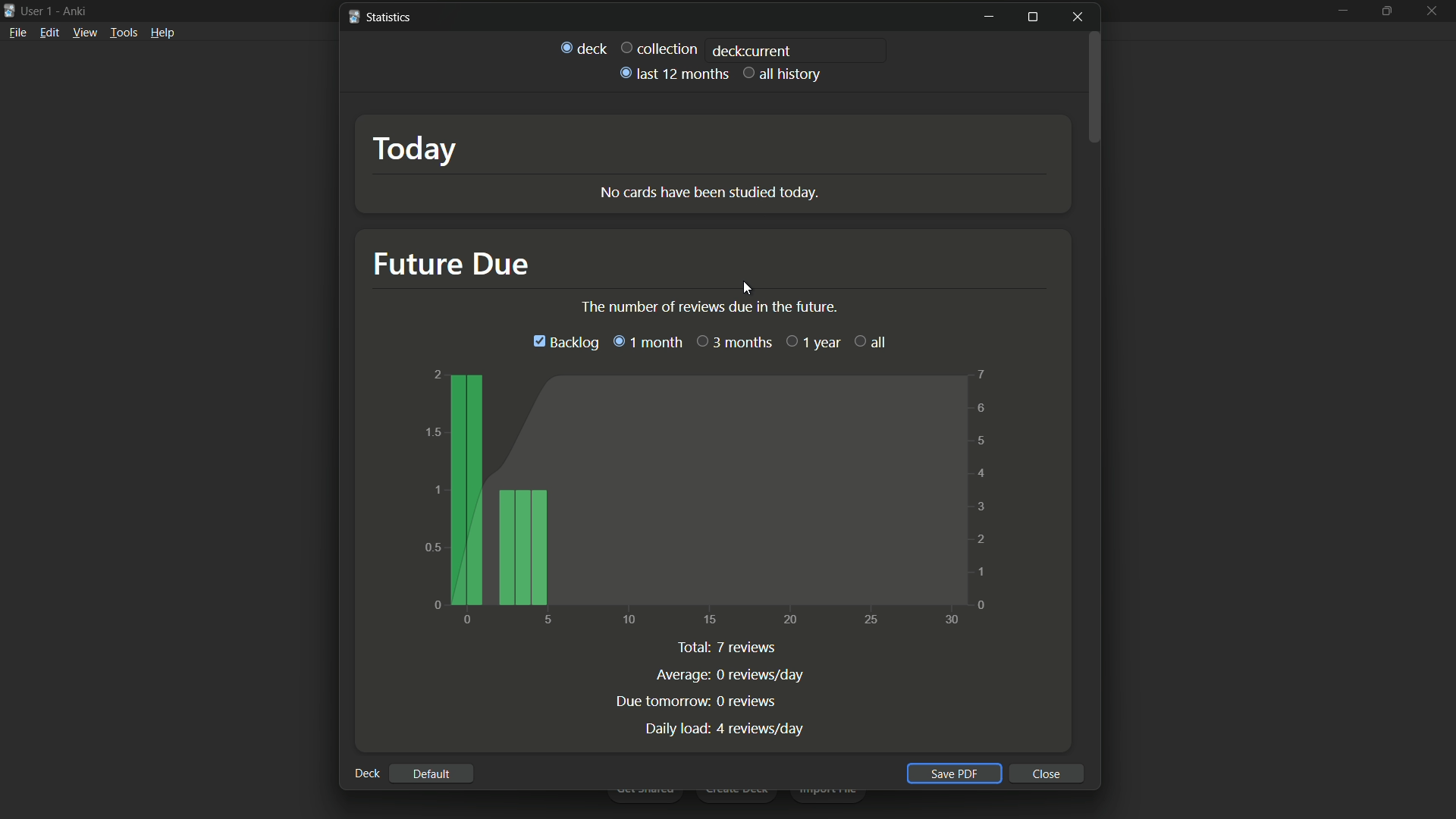  What do you see at coordinates (383, 17) in the screenshot?
I see `statistics` at bounding box center [383, 17].